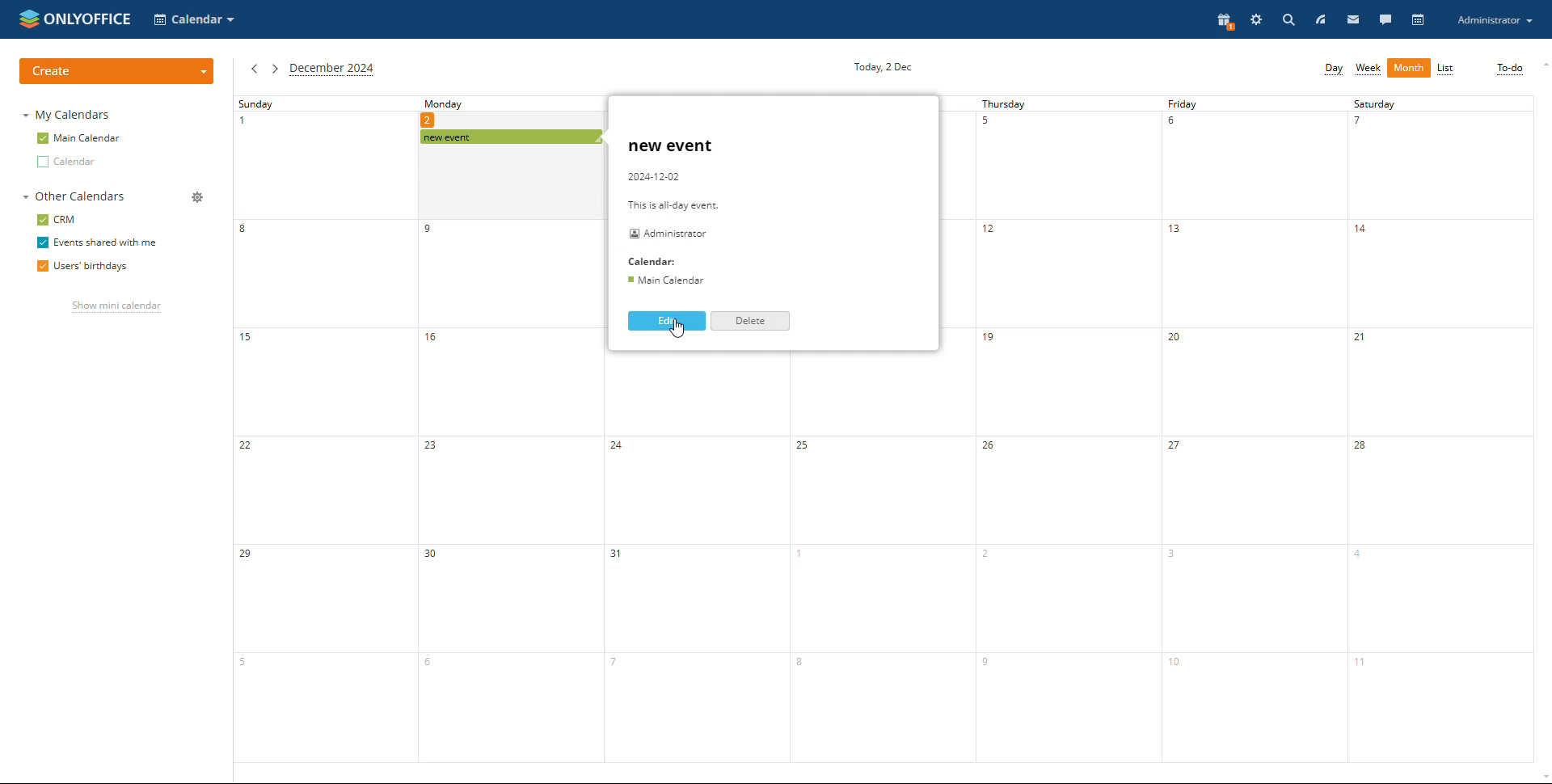 The height and width of the screenshot is (784, 1552). What do you see at coordinates (54, 219) in the screenshot?
I see `crm` at bounding box center [54, 219].